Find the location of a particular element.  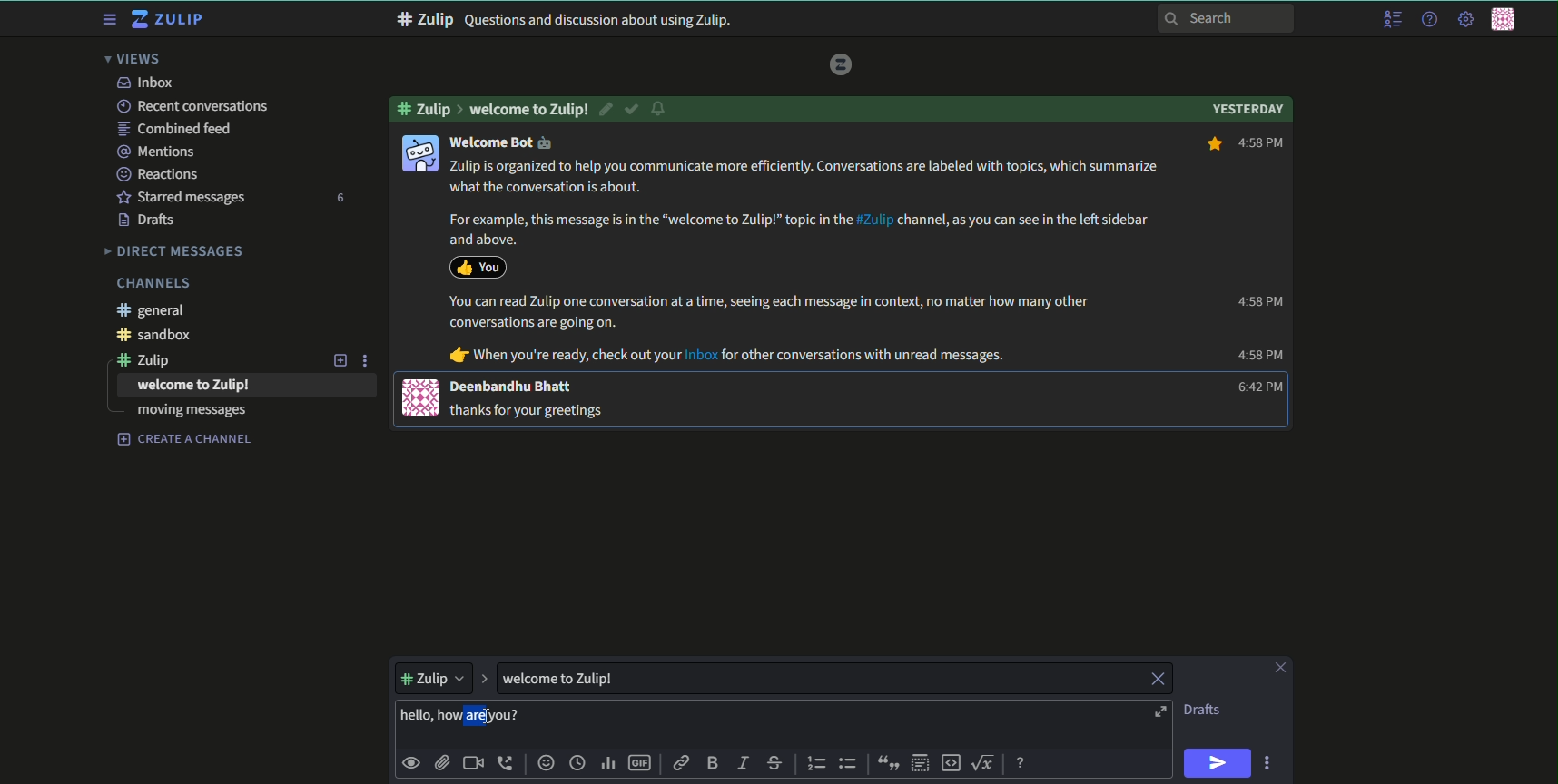

add voice call is located at coordinates (507, 763).